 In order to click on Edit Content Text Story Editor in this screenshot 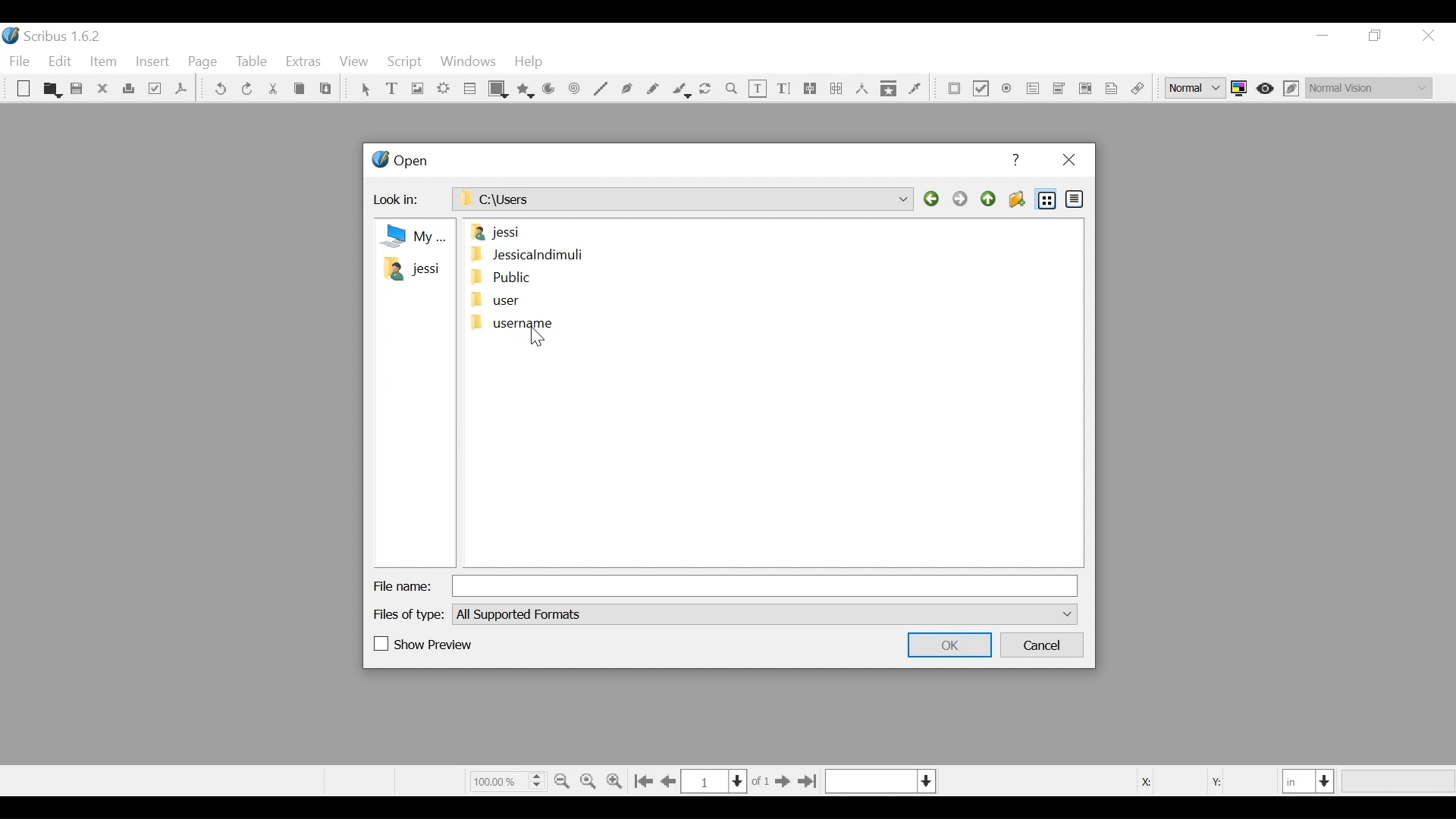, I will do `click(783, 89)`.